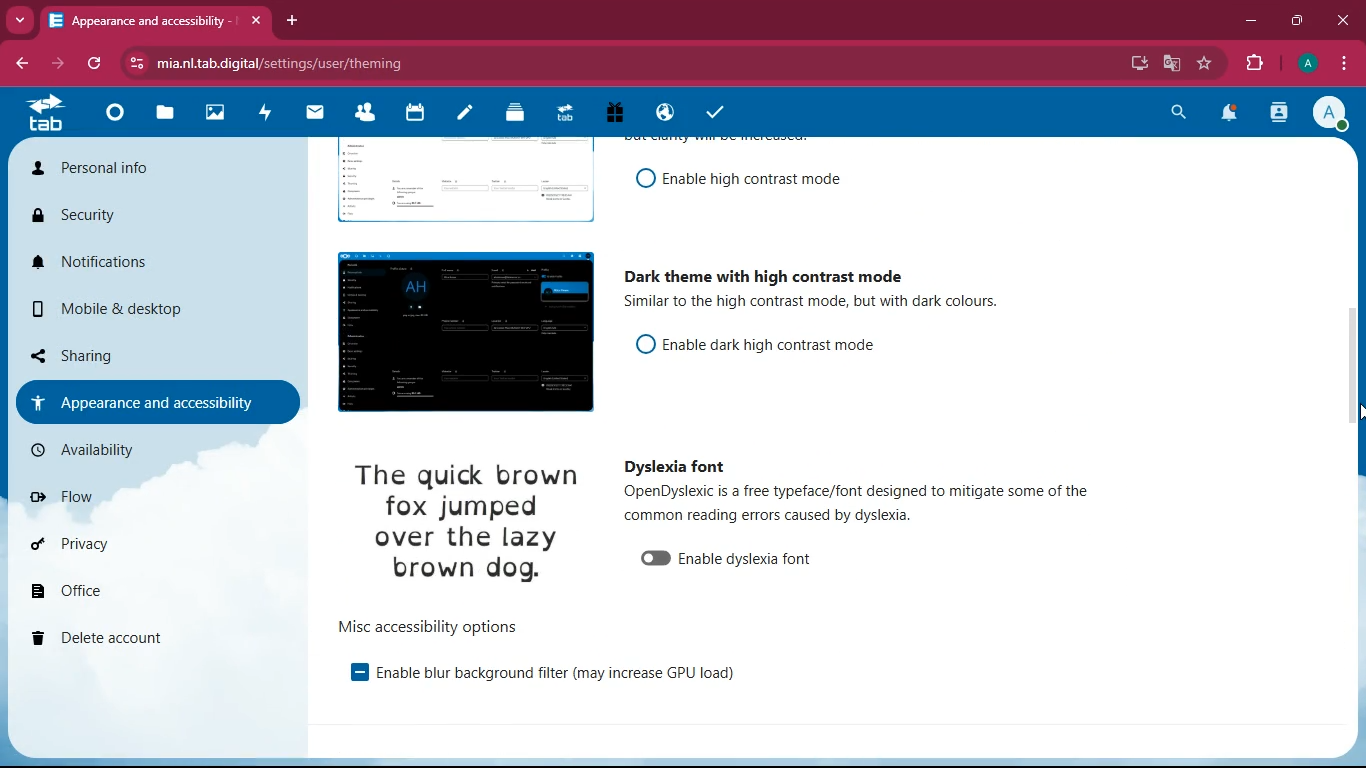 The image size is (1366, 768). Describe the element at coordinates (1170, 63) in the screenshot. I see `google translate` at that location.